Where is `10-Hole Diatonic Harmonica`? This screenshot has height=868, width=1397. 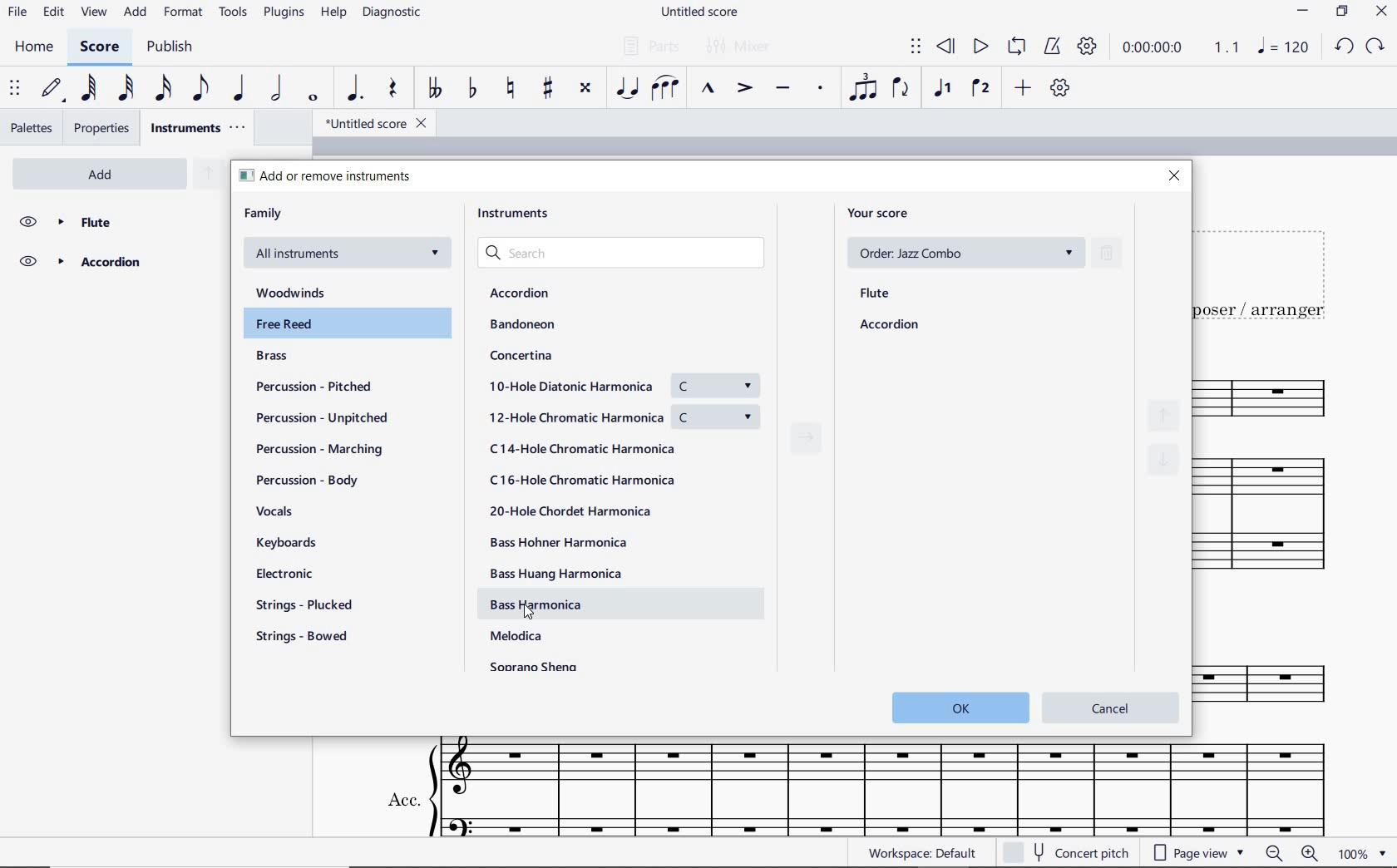 10-Hole Diatonic Harmonica is located at coordinates (622, 384).